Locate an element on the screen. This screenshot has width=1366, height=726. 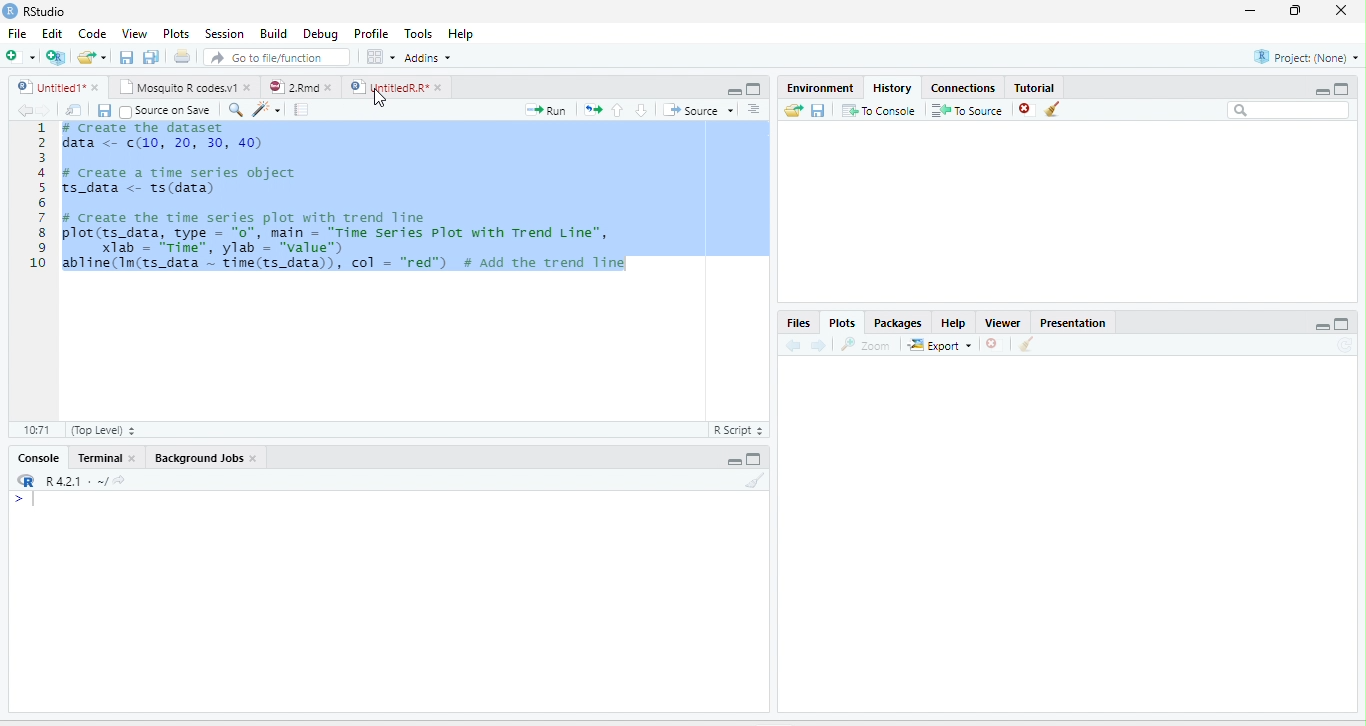
RStudio is located at coordinates (34, 10).